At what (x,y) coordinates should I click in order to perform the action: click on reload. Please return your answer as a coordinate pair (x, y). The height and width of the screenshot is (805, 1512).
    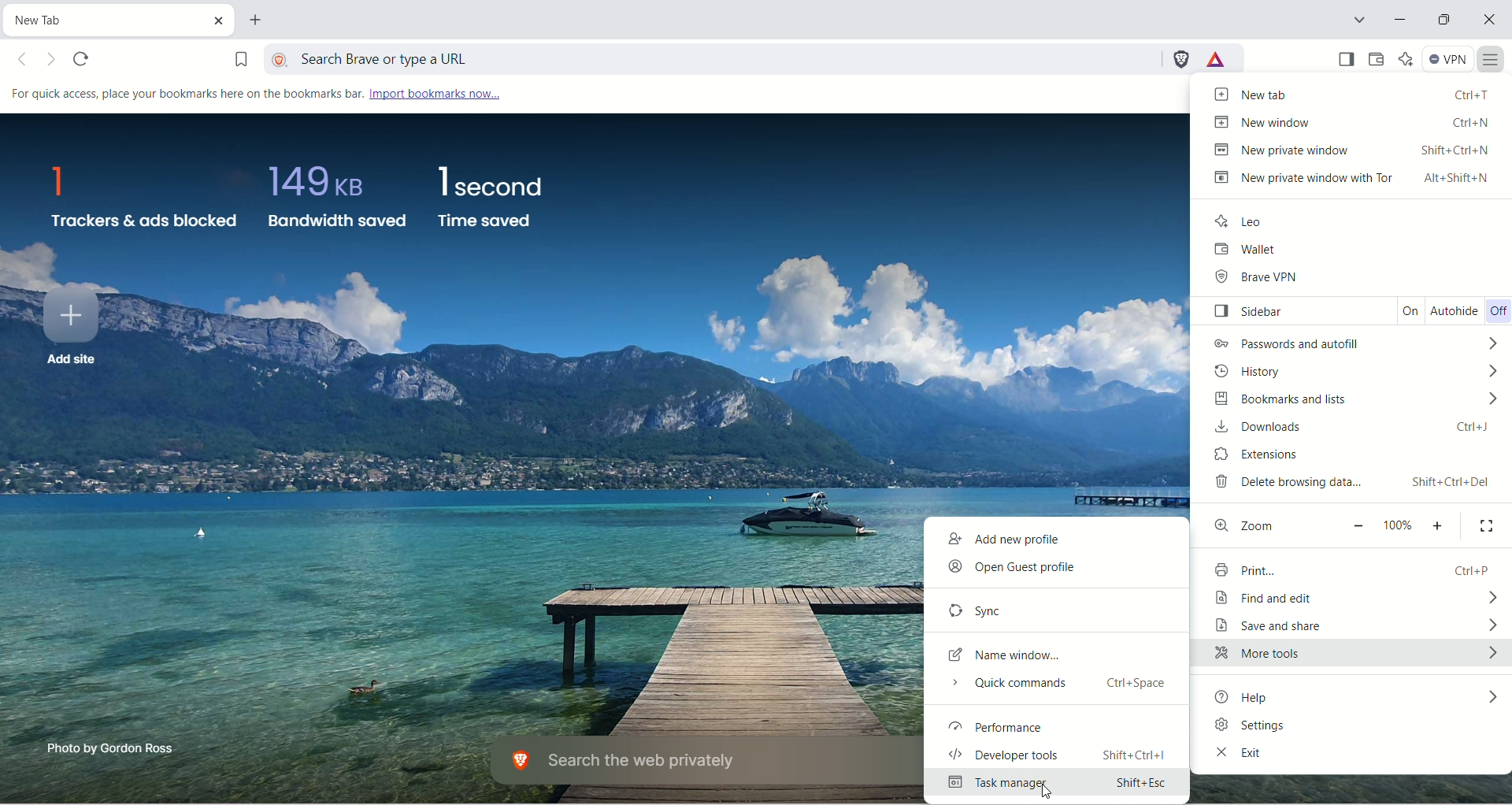
    Looking at the image, I should click on (84, 59).